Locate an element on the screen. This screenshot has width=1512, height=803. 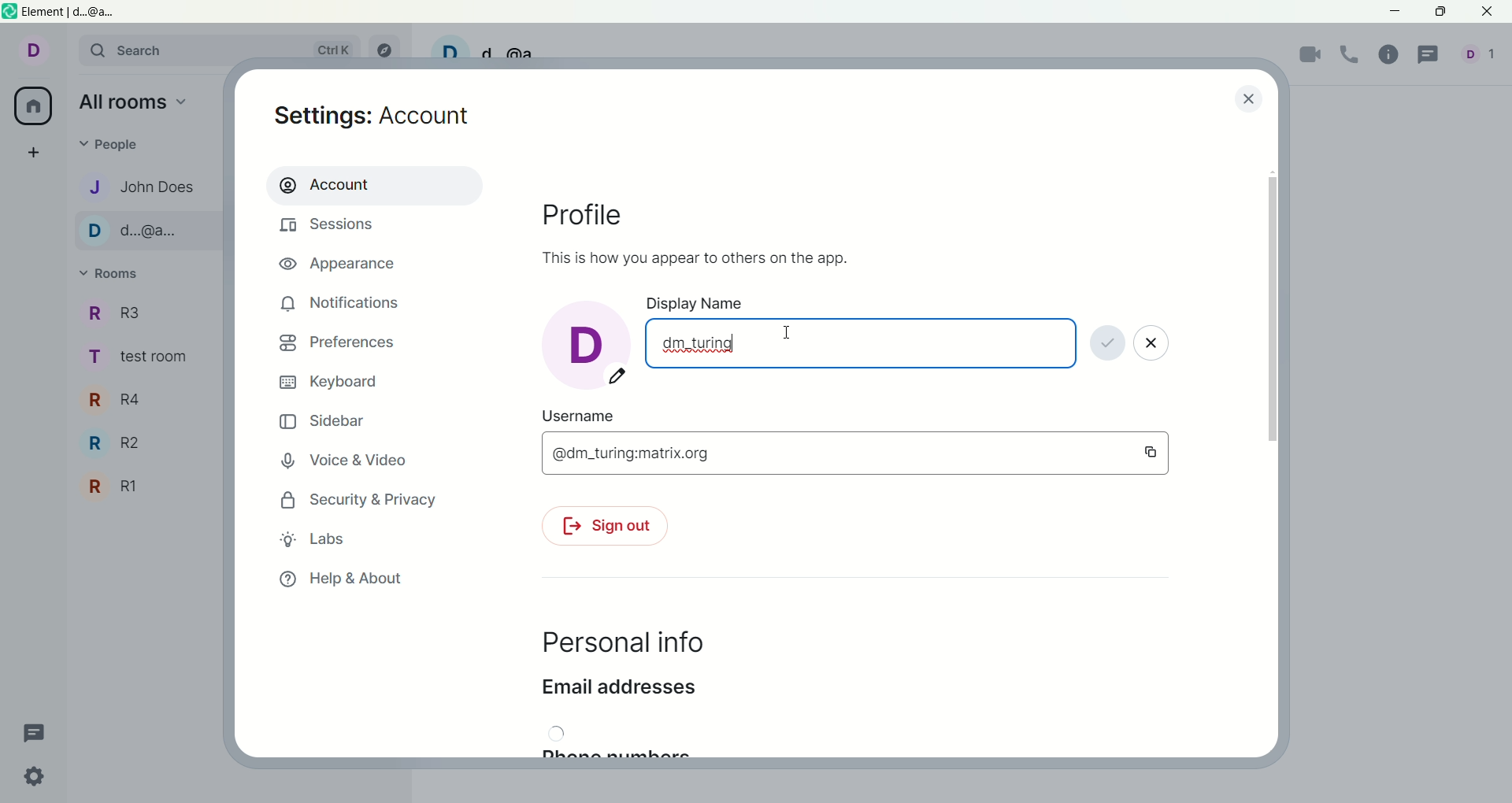
keyboard is located at coordinates (333, 383).